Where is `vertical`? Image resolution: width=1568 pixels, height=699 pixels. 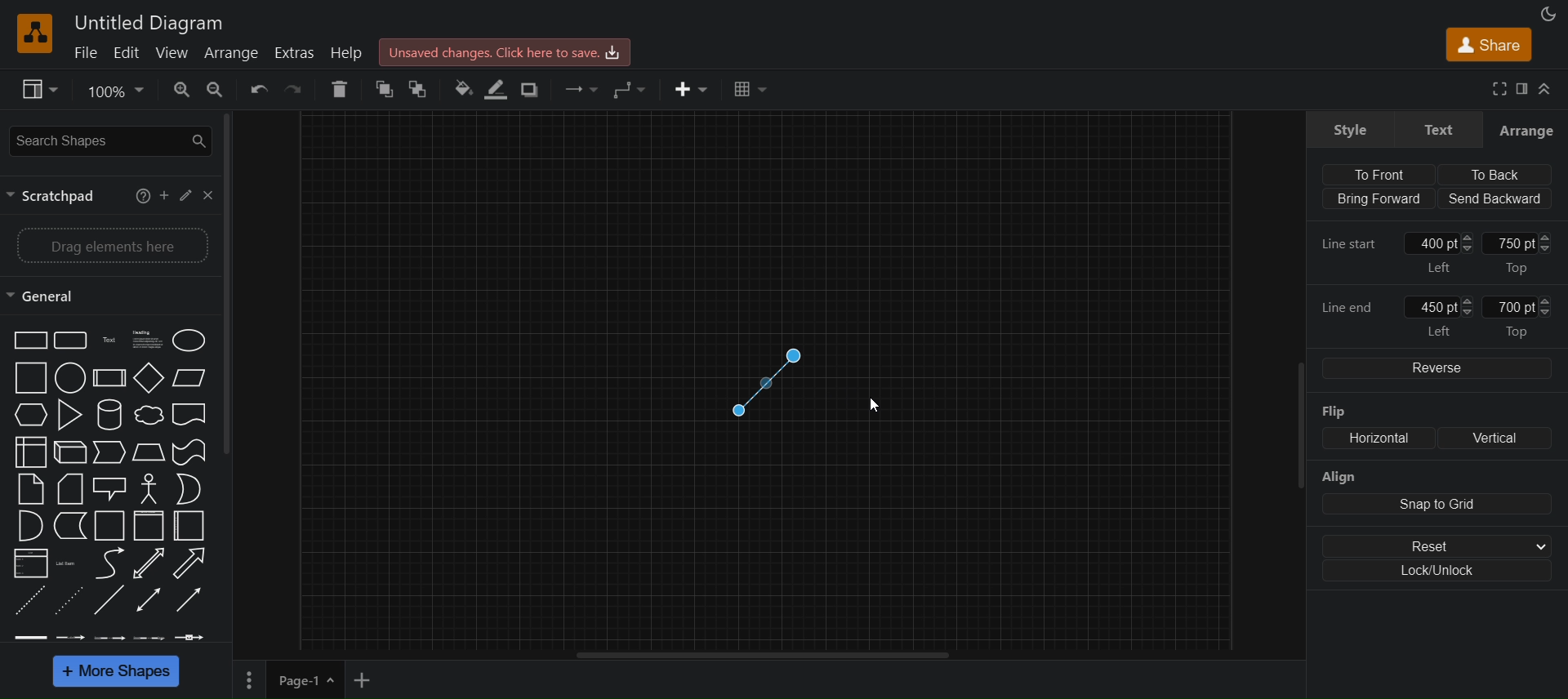
vertical is located at coordinates (1493, 438).